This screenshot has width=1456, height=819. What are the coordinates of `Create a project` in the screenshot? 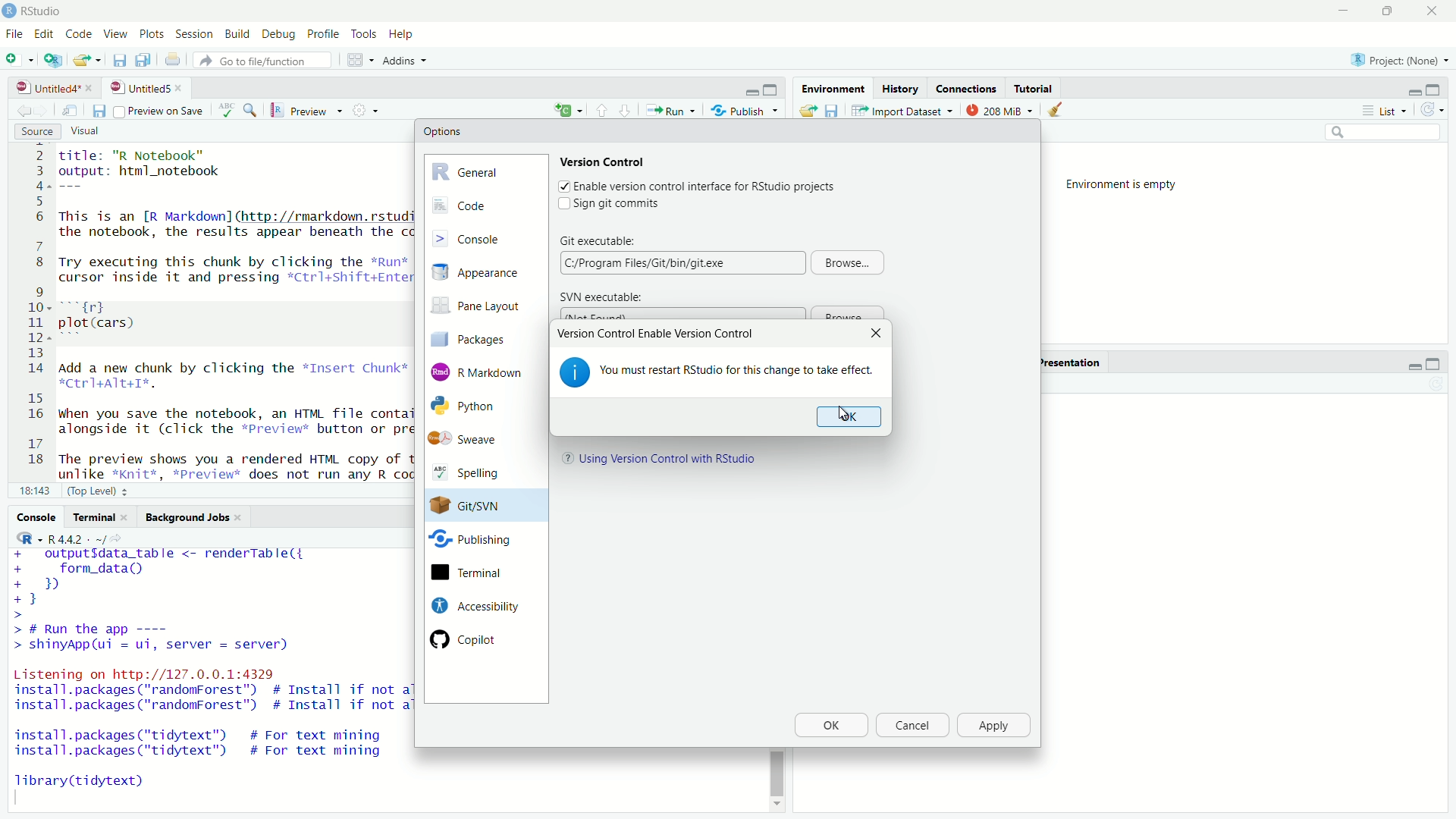 It's located at (54, 59).